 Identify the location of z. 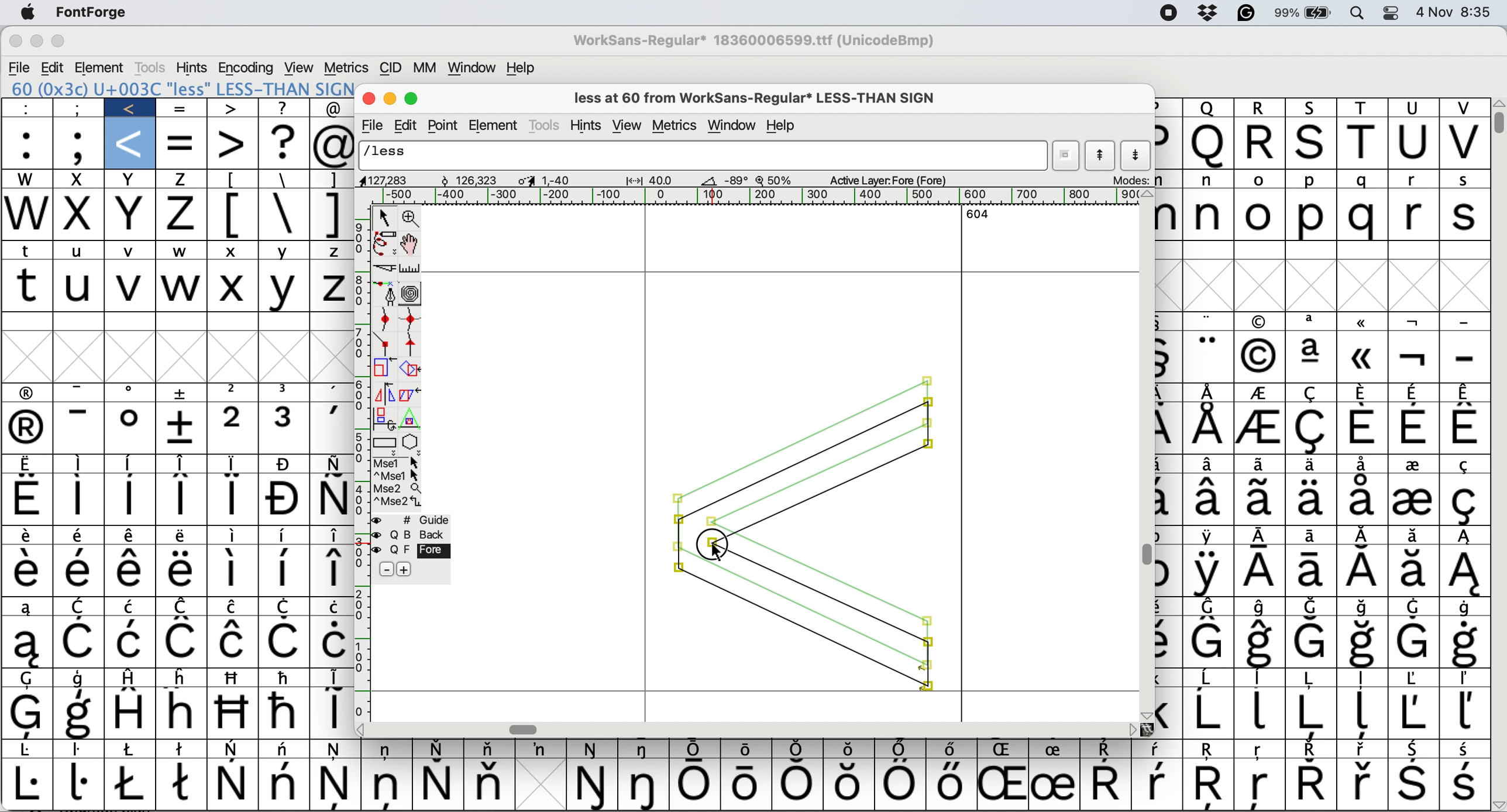
(182, 216).